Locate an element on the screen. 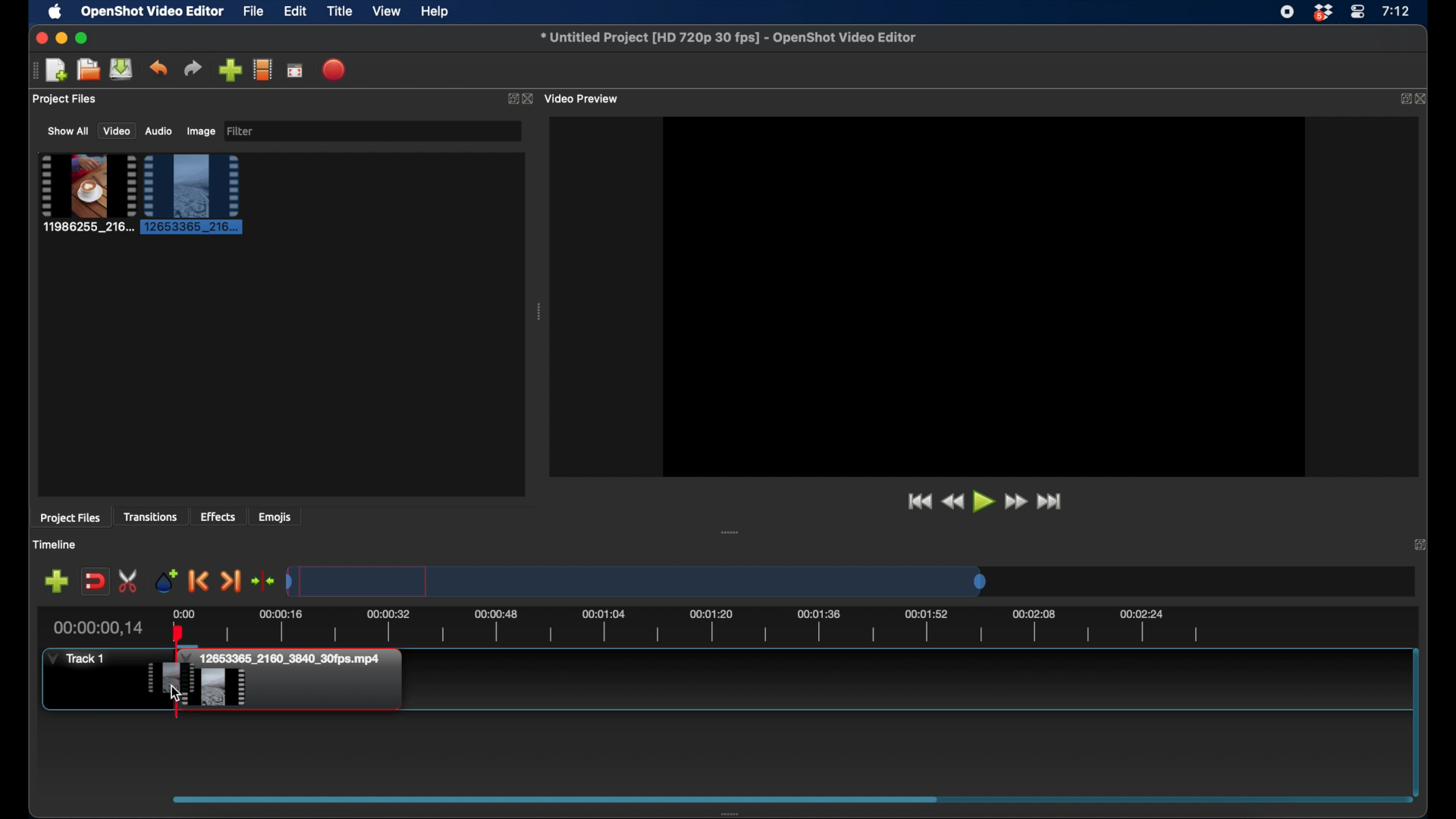  playhead is located at coordinates (177, 642).